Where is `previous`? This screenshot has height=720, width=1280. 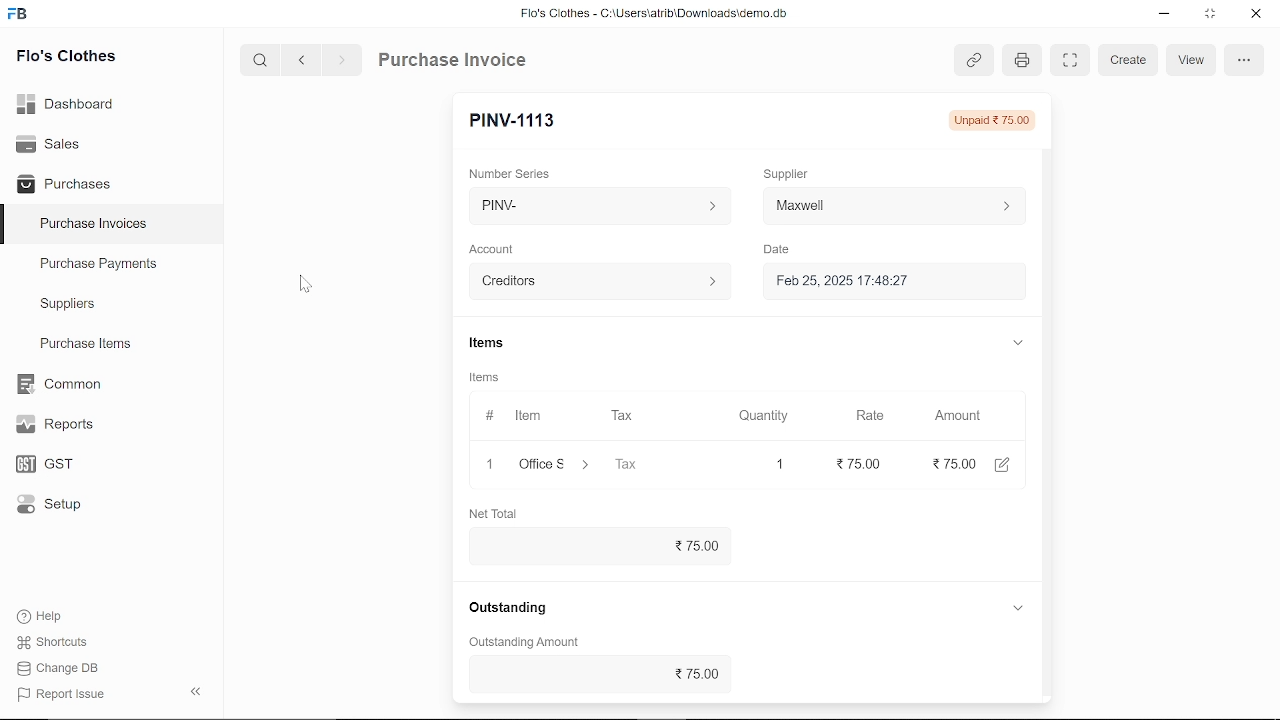 previous is located at coordinates (303, 62).